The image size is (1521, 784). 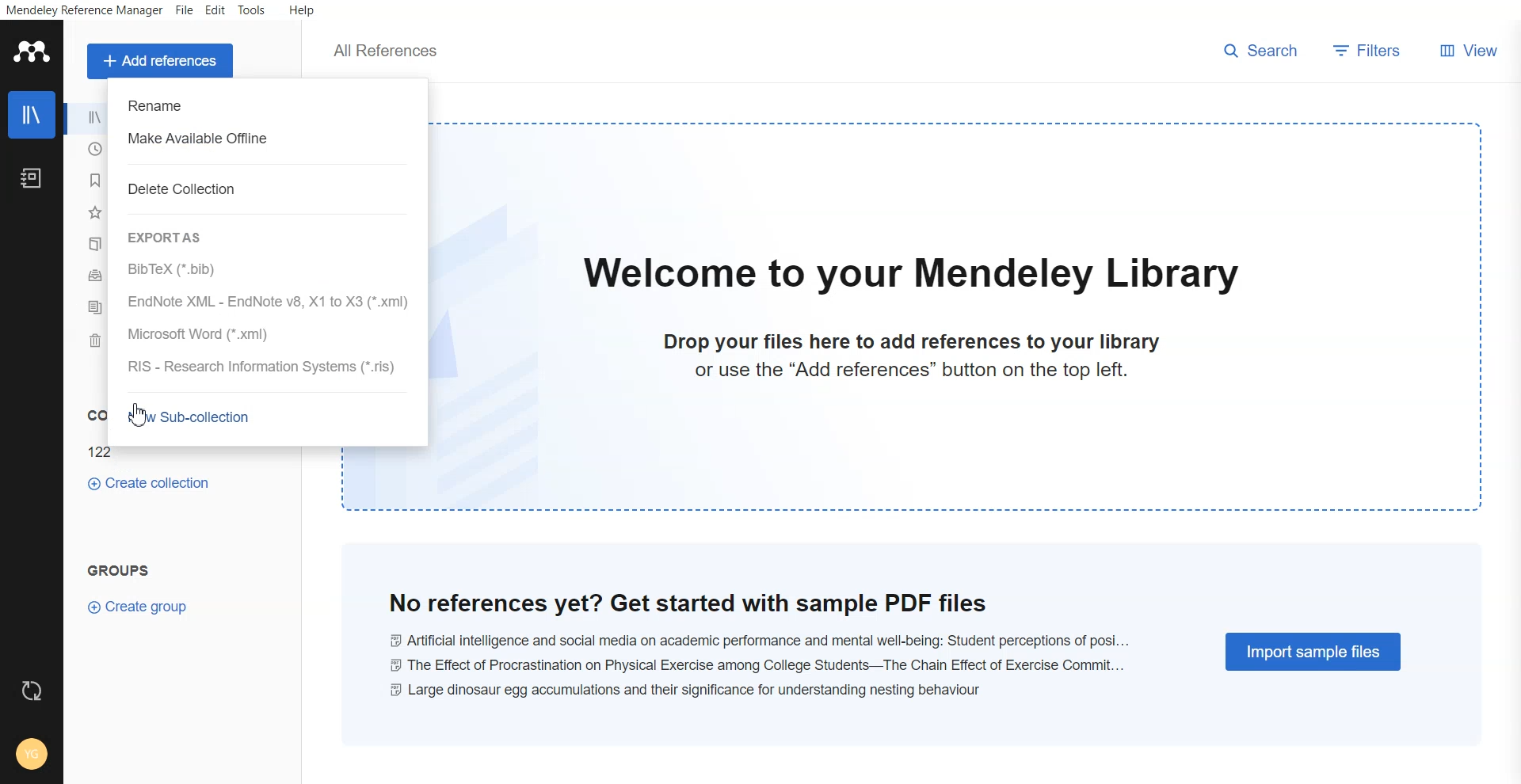 I want to click on View, so click(x=1465, y=49).